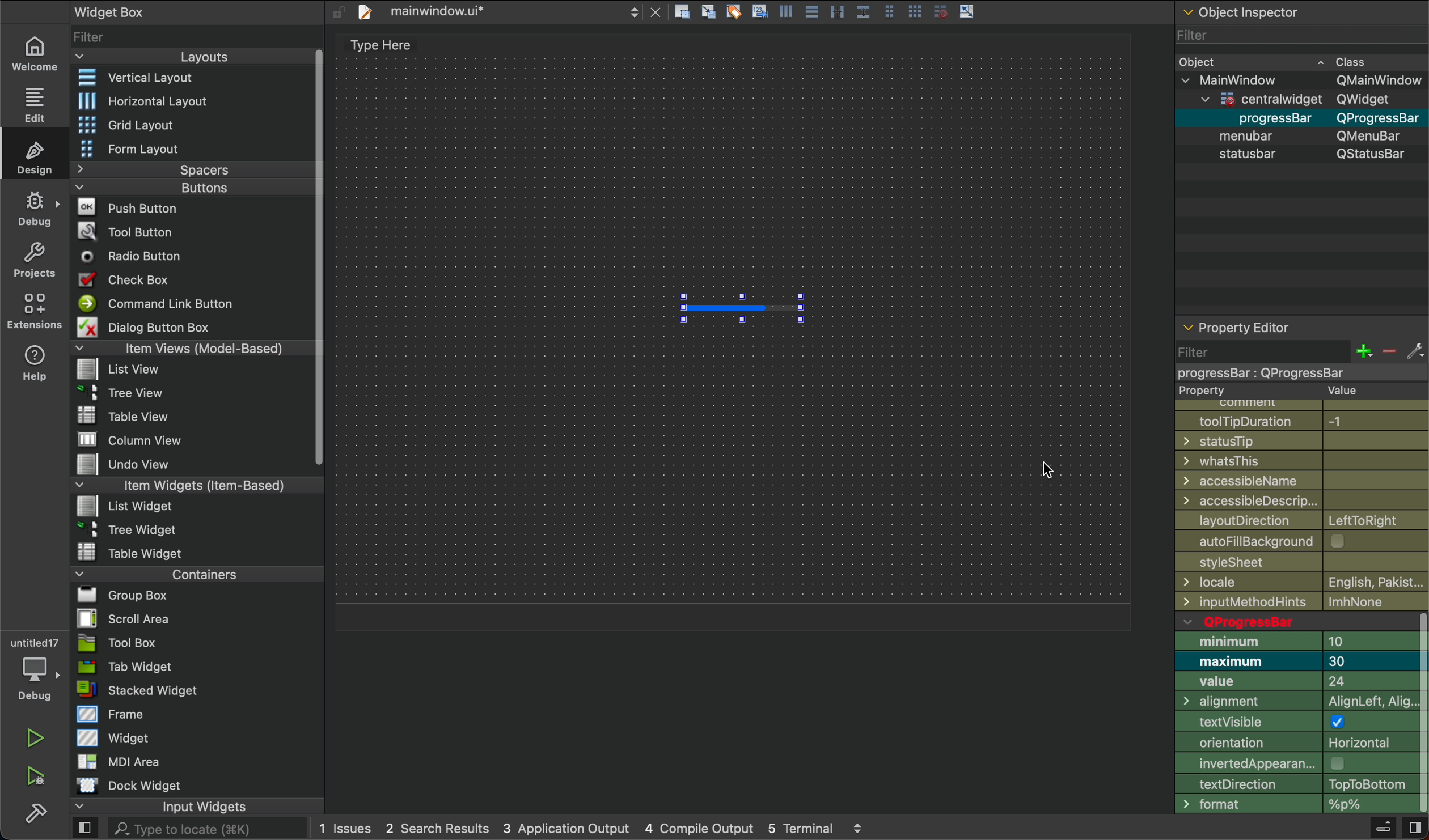  What do you see at coordinates (129, 415) in the screenshot?
I see `File` at bounding box center [129, 415].